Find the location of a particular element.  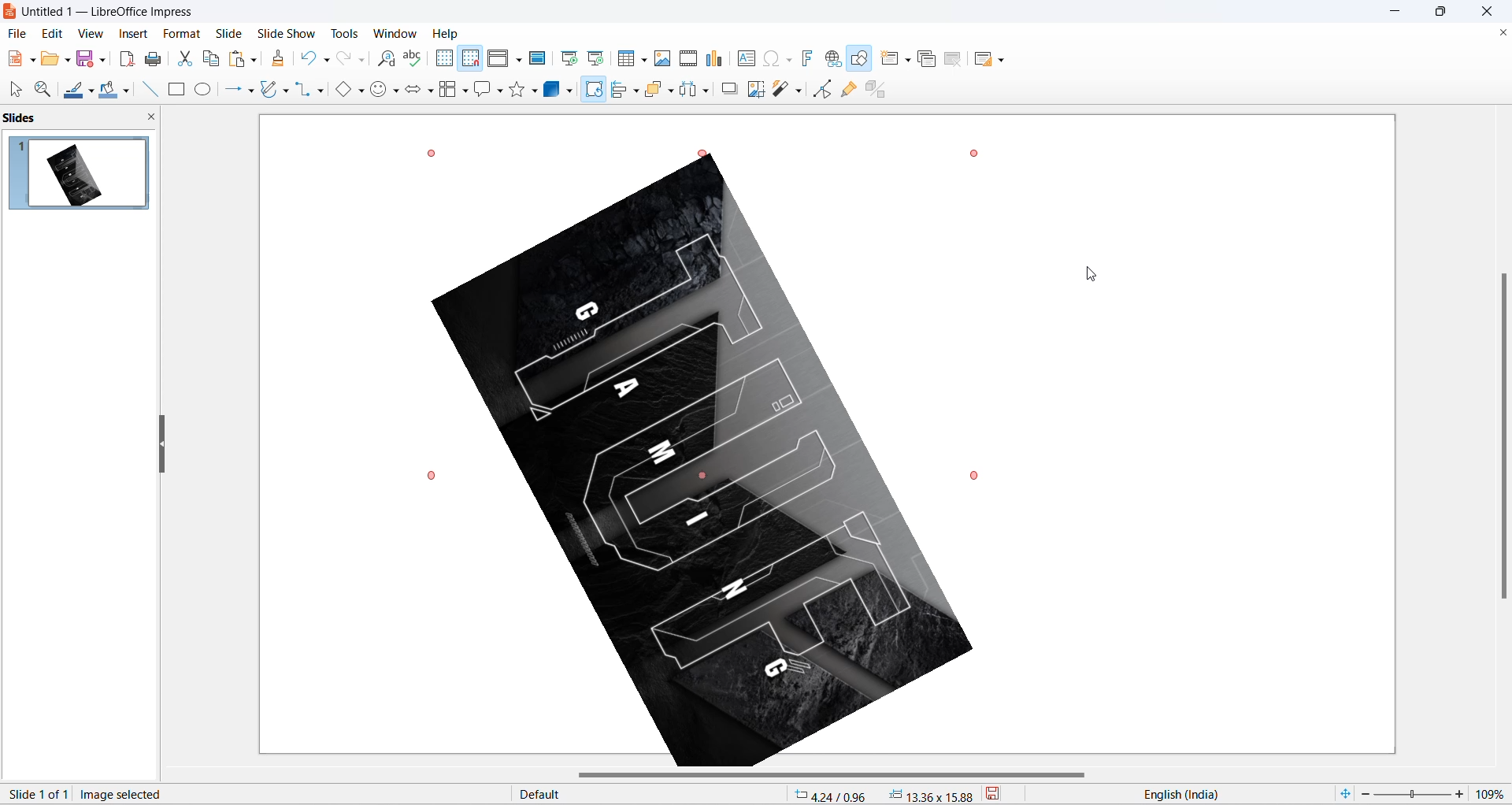

filter is located at coordinates (781, 91).